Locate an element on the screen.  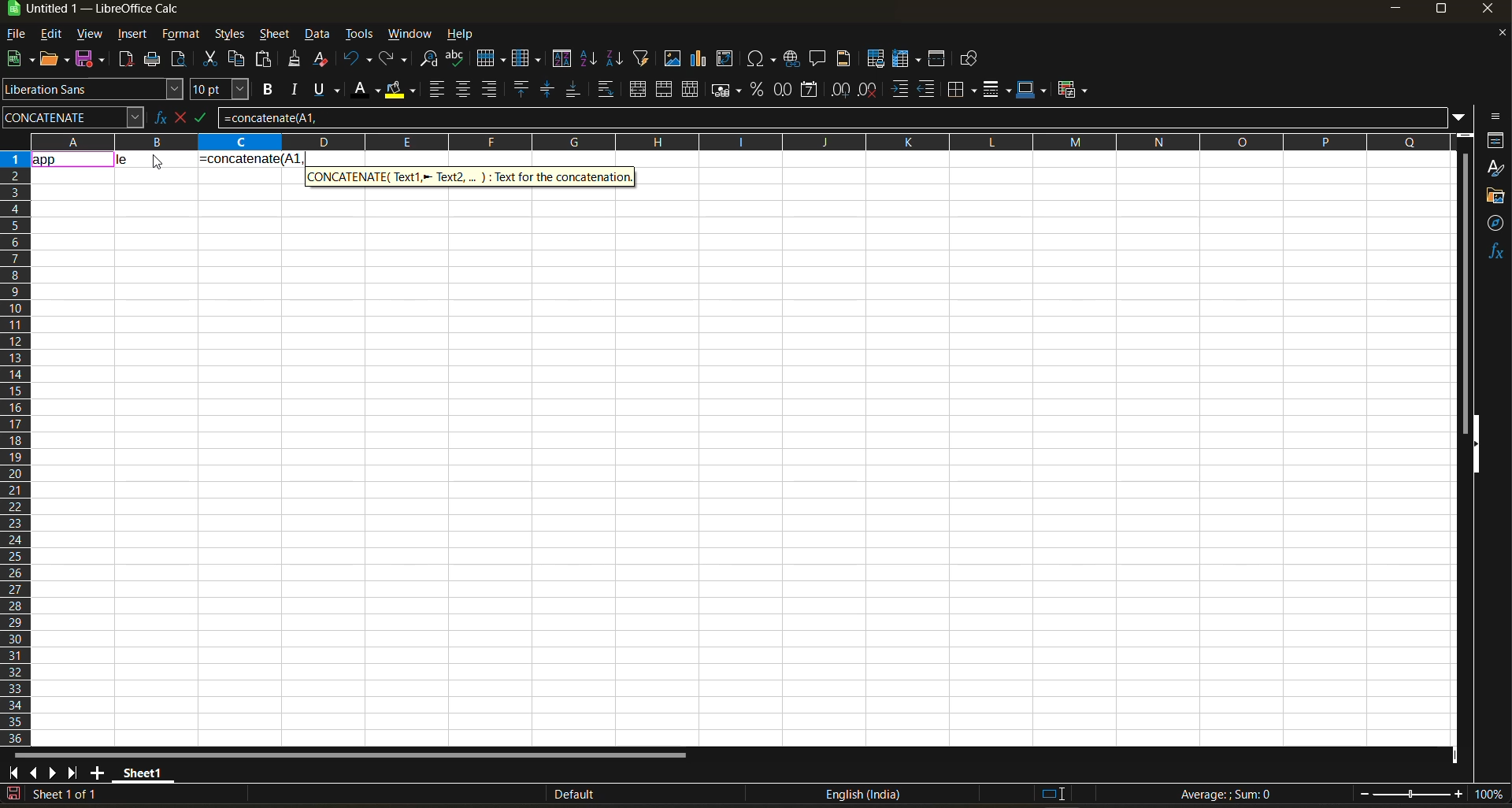
open is located at coordinates (56, 60).